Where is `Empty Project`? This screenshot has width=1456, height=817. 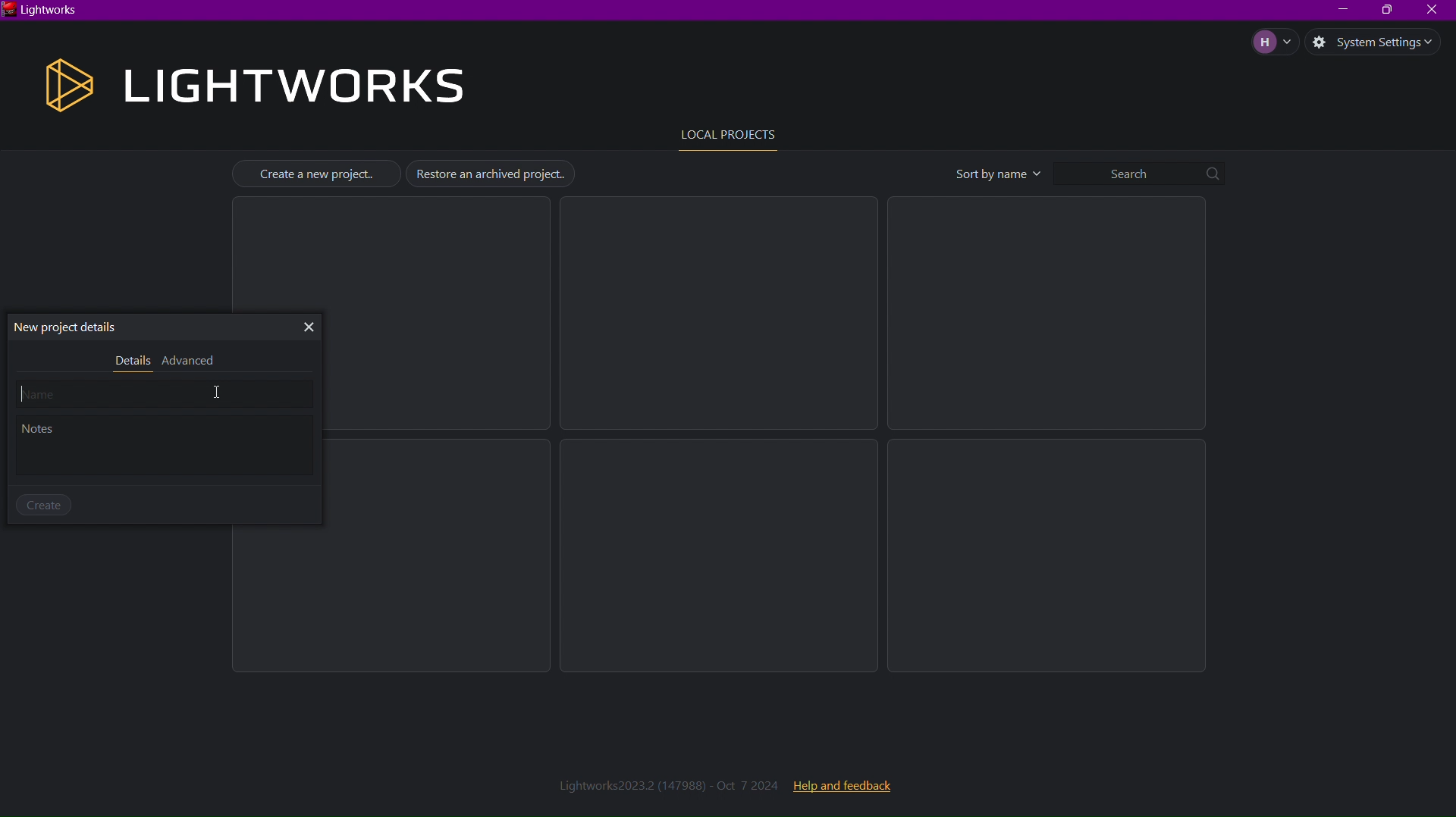 Empty Project is located at coordinates (1052, 557).